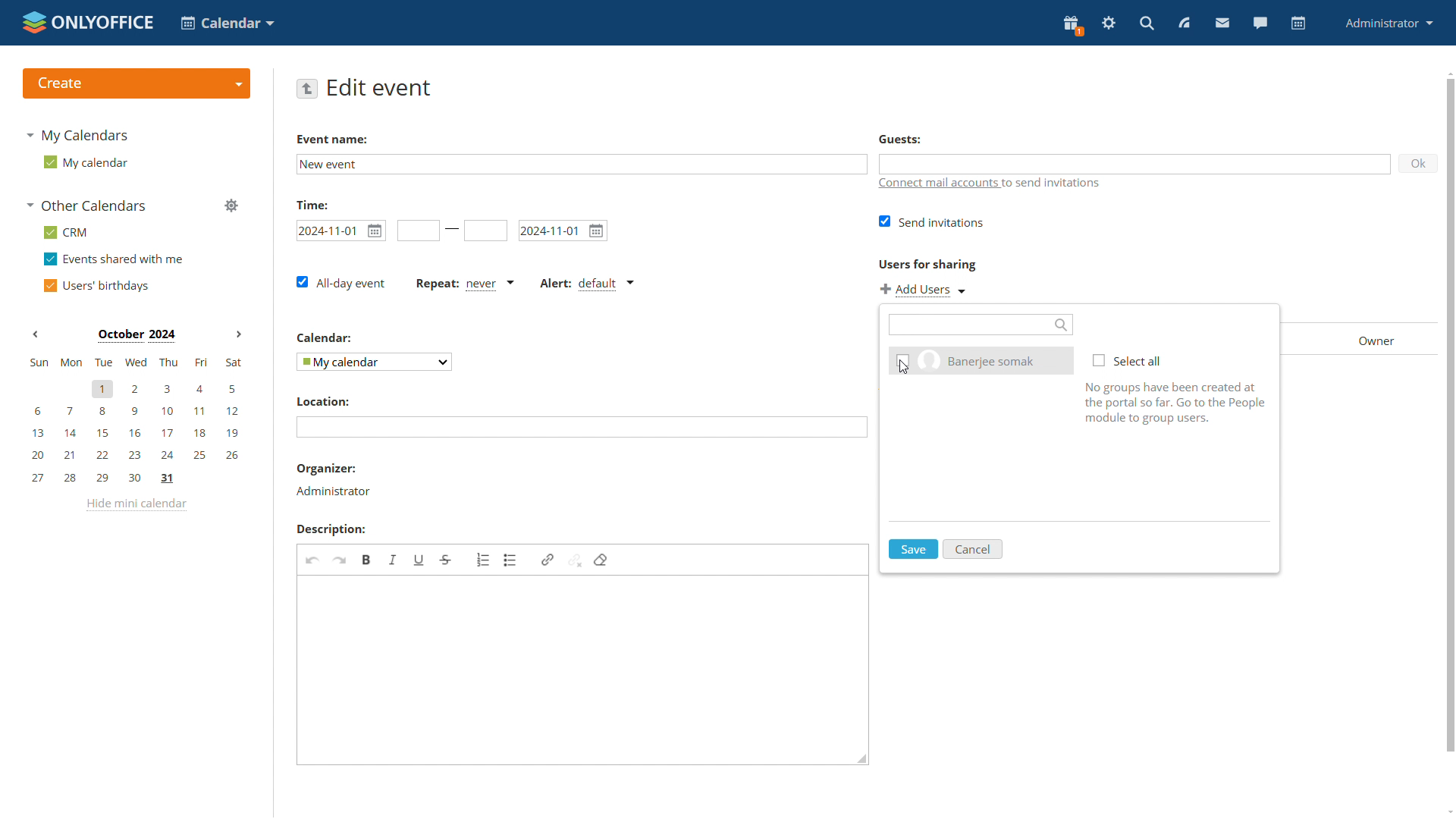  Describe the element at coordinates (981, 325) in the screenshot. I see `search users` at that location.